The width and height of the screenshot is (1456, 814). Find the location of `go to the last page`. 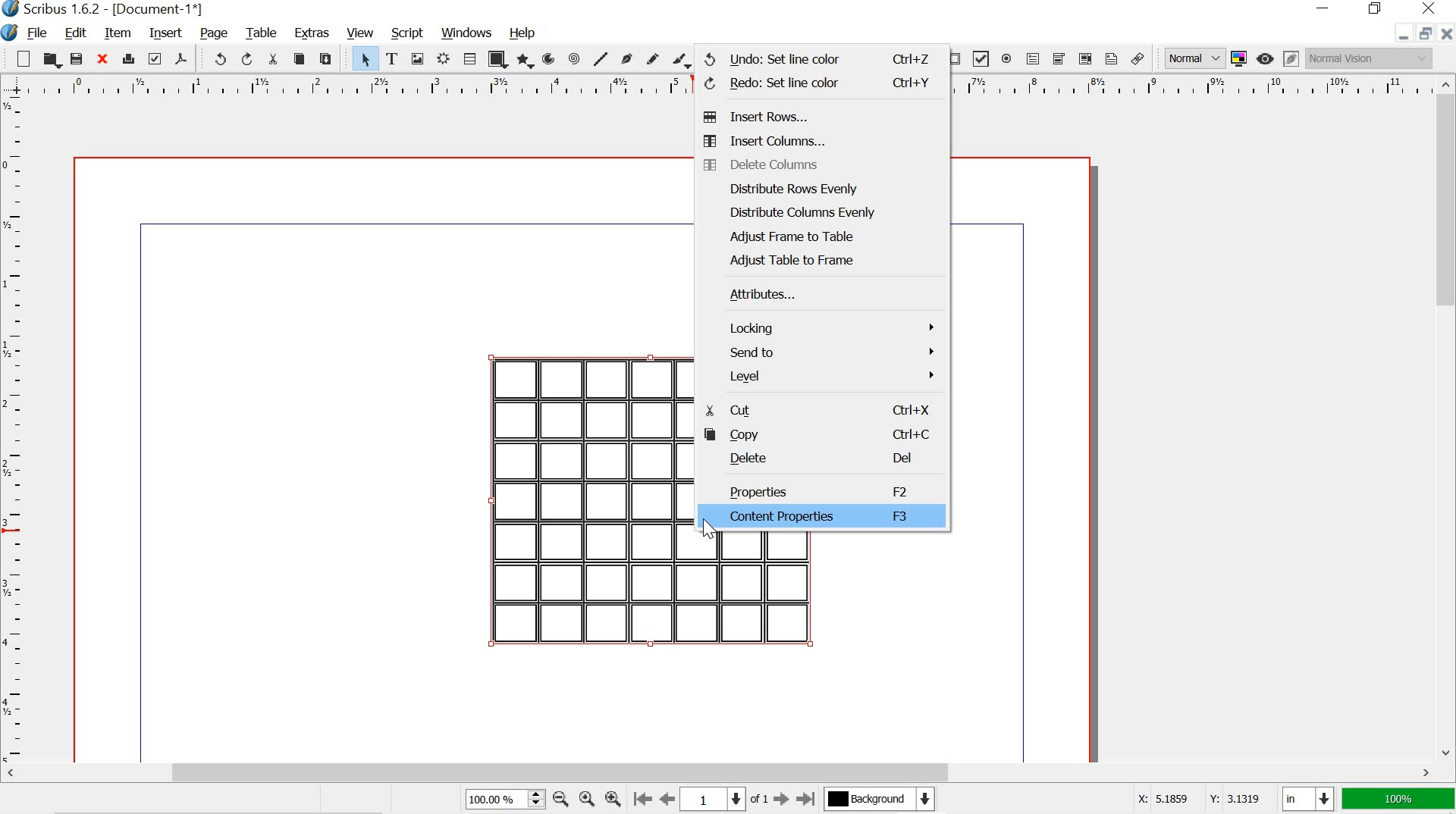

go to the last page is located at coordinates (806, 797).